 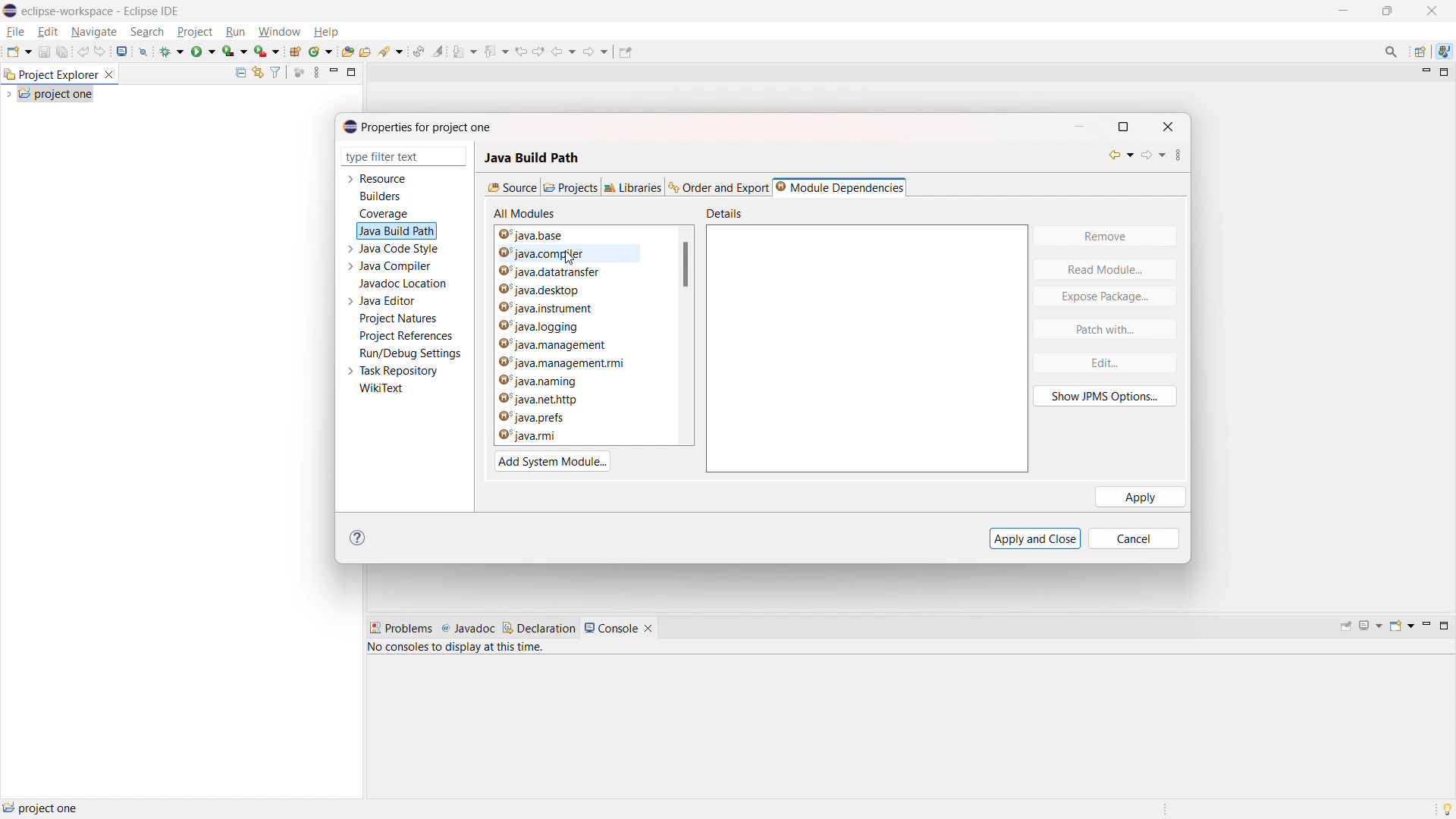 What do you see at coordinates (438, 51) in the screenshot?
I see `toggle ant mark occurances` at bounding box center [438, 51].